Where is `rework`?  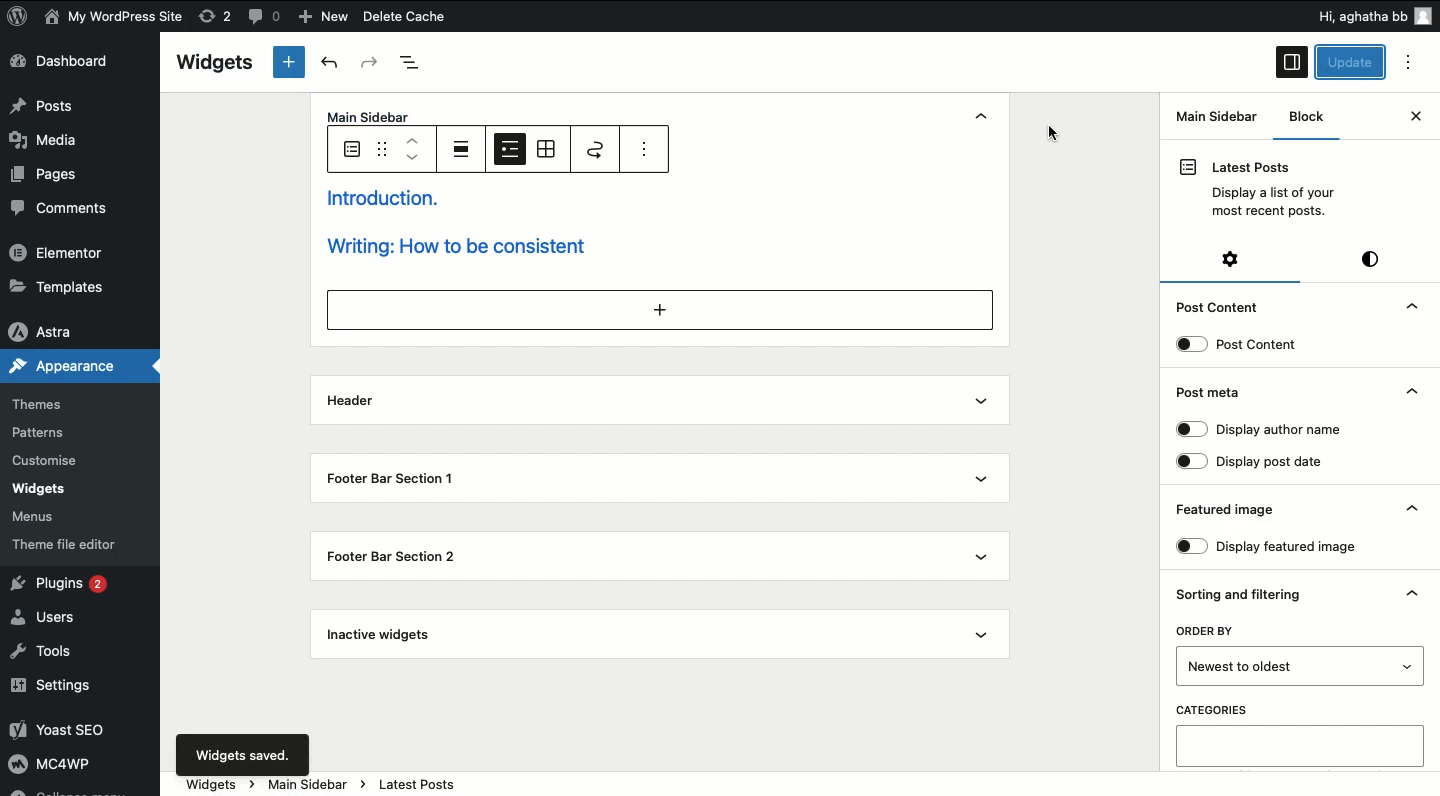
rework is located at coordinates (212, 15).